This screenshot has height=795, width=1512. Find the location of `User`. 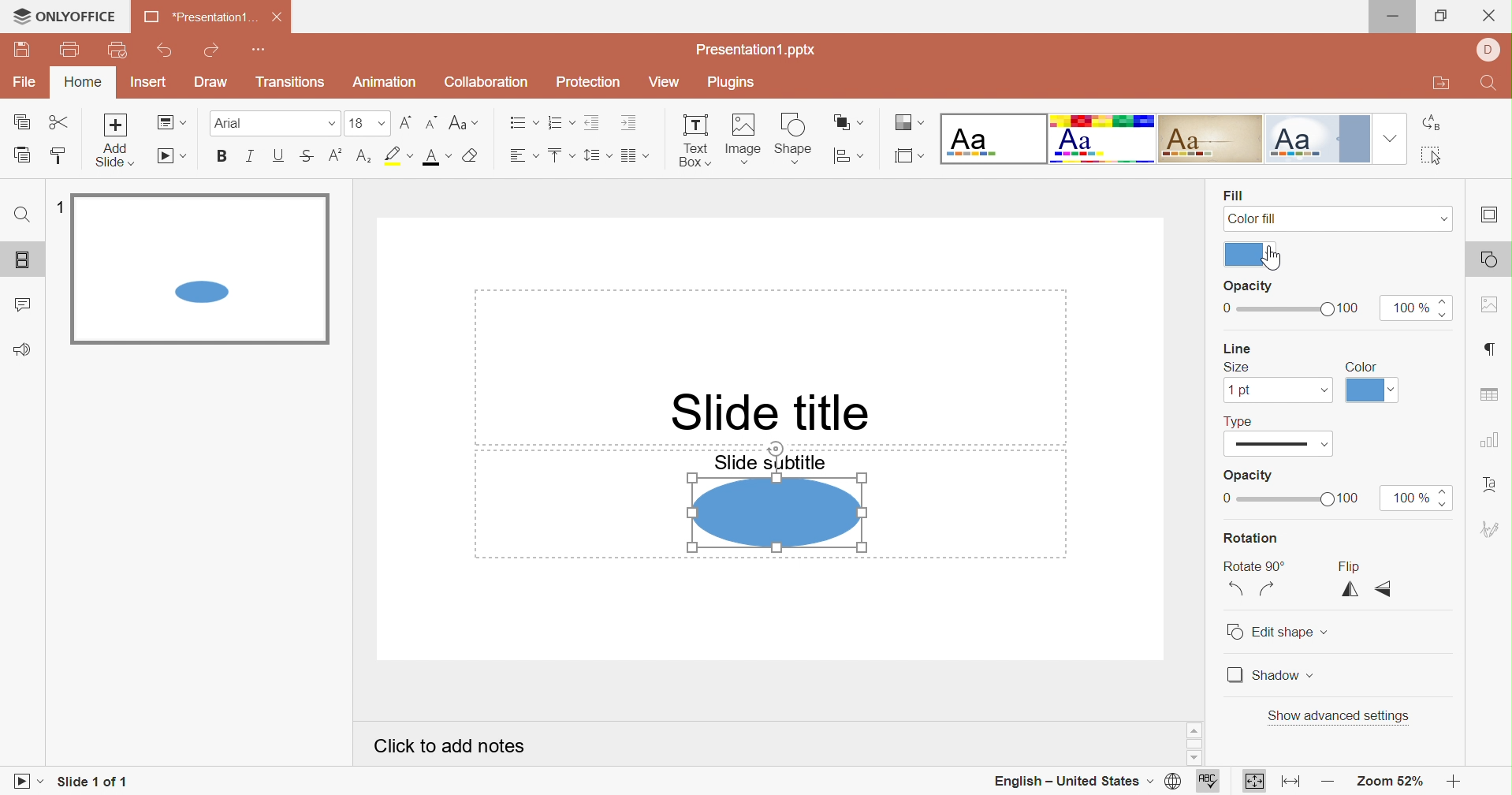

User is located at coordinates (1487, 50).